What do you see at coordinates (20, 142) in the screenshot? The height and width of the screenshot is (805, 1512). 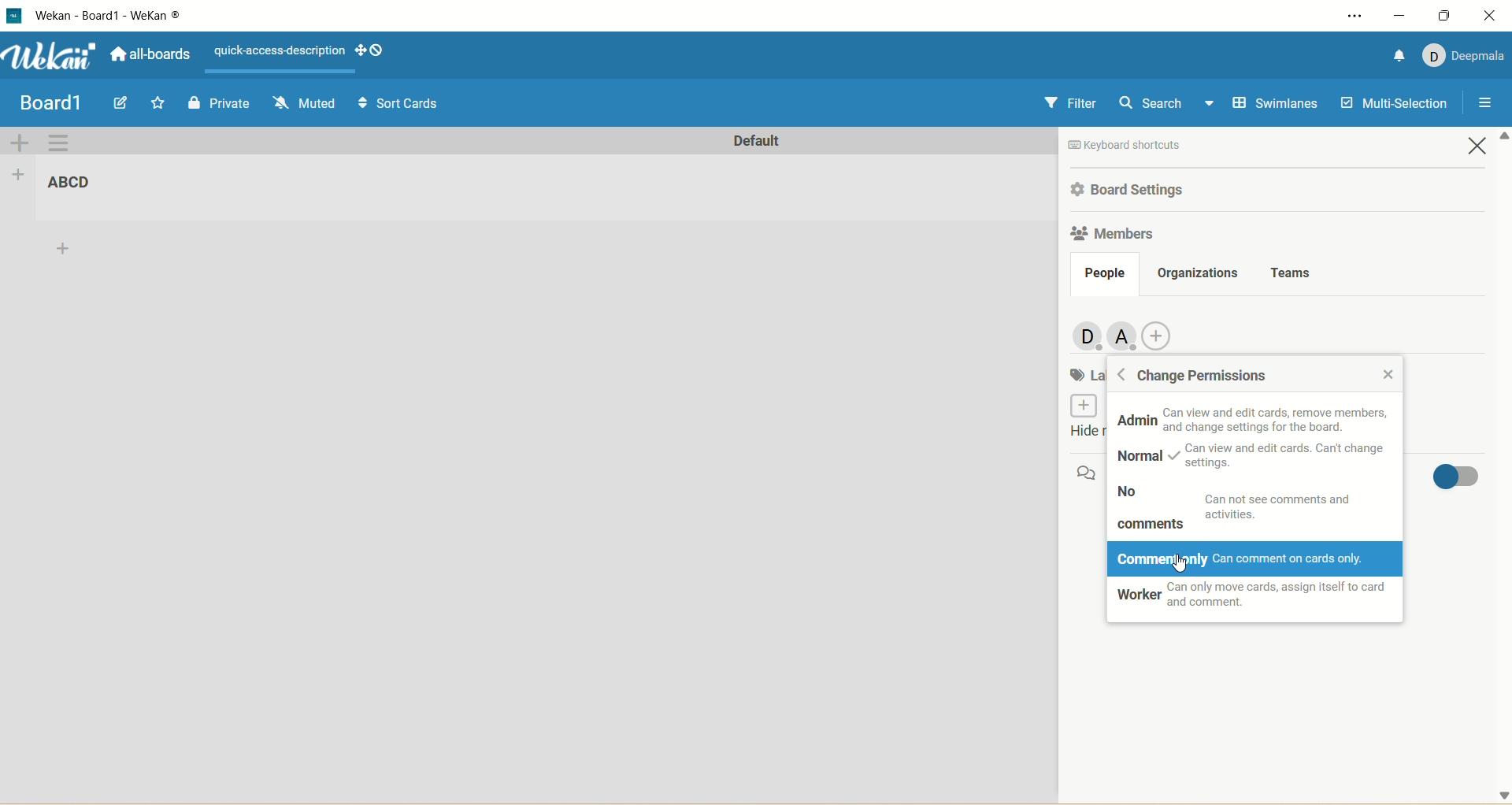 I see `add swimlane` at bounding box center [20, 142].